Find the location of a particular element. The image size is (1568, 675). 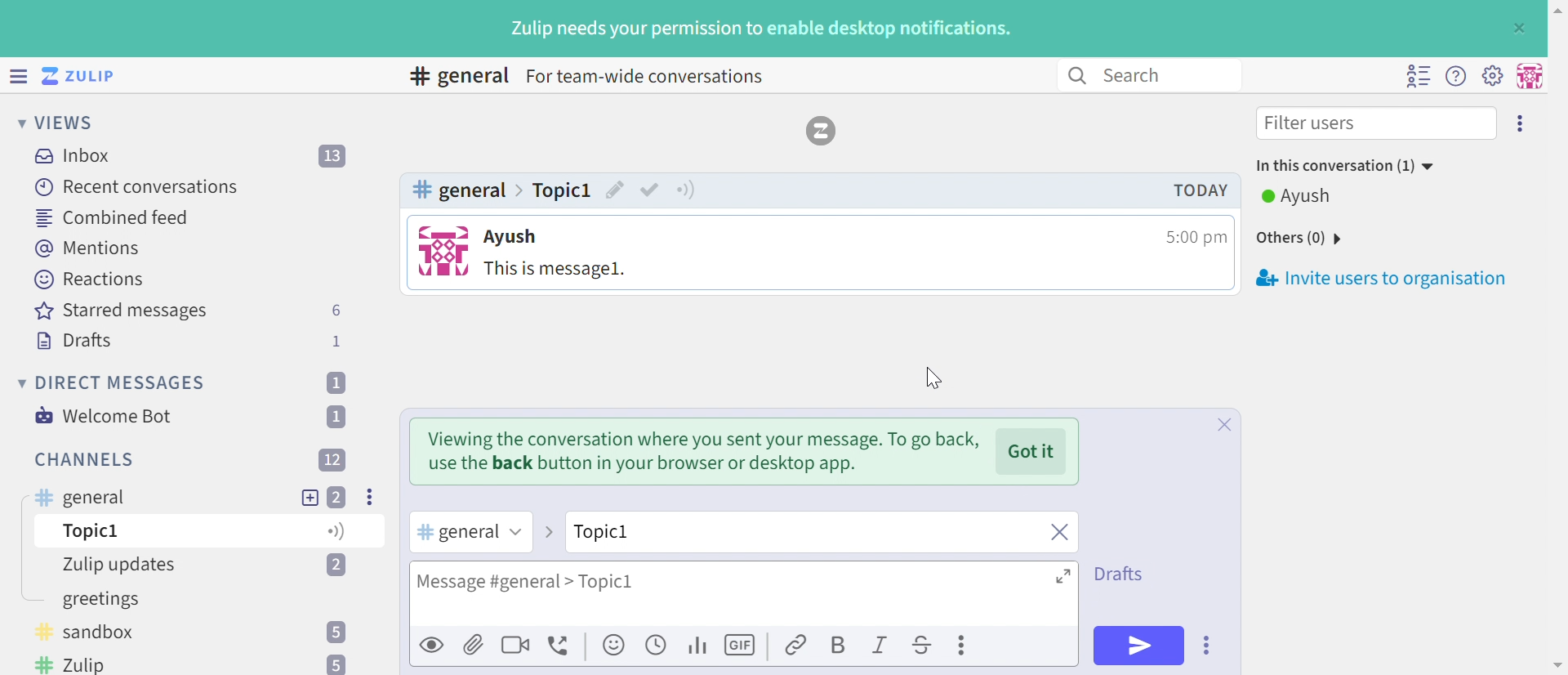

Got it is located at coordinates (1031, 451).